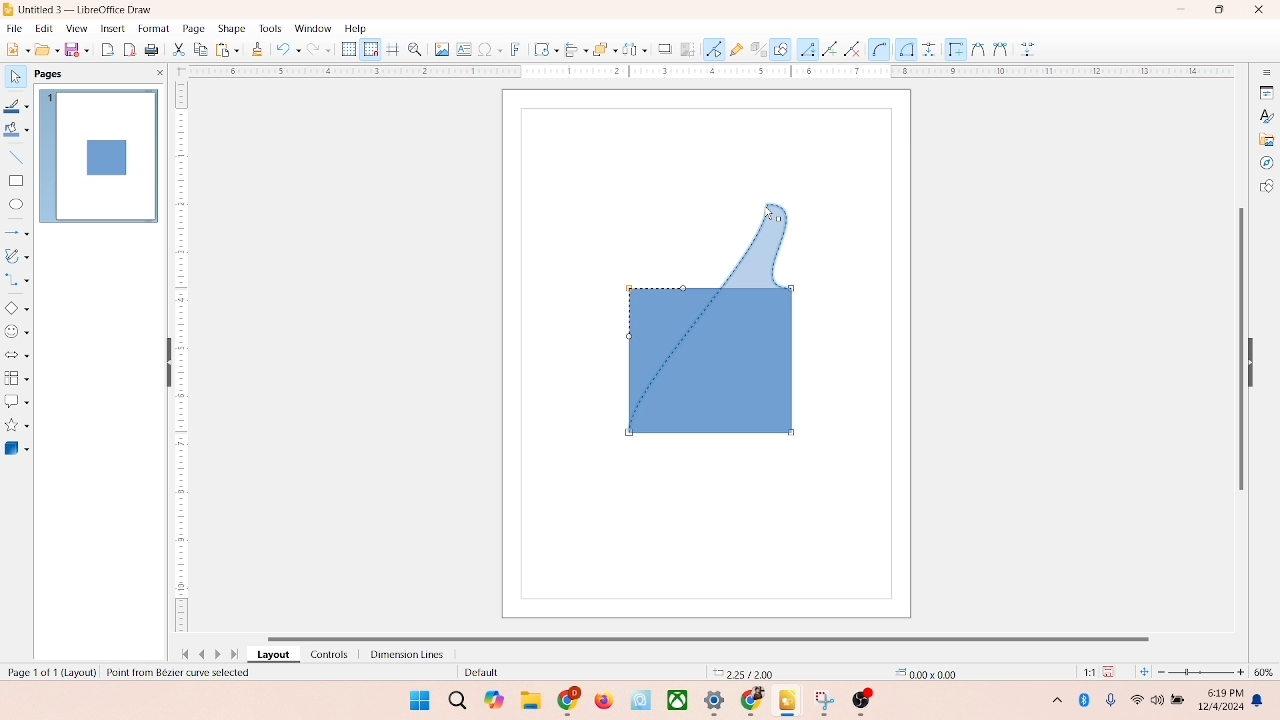 This screenshot has width=1280, height=720. What do you see at coordinates (1266, 73) in the screenshot?
I see `sidebar settings` at bounding box center [1266, 73].